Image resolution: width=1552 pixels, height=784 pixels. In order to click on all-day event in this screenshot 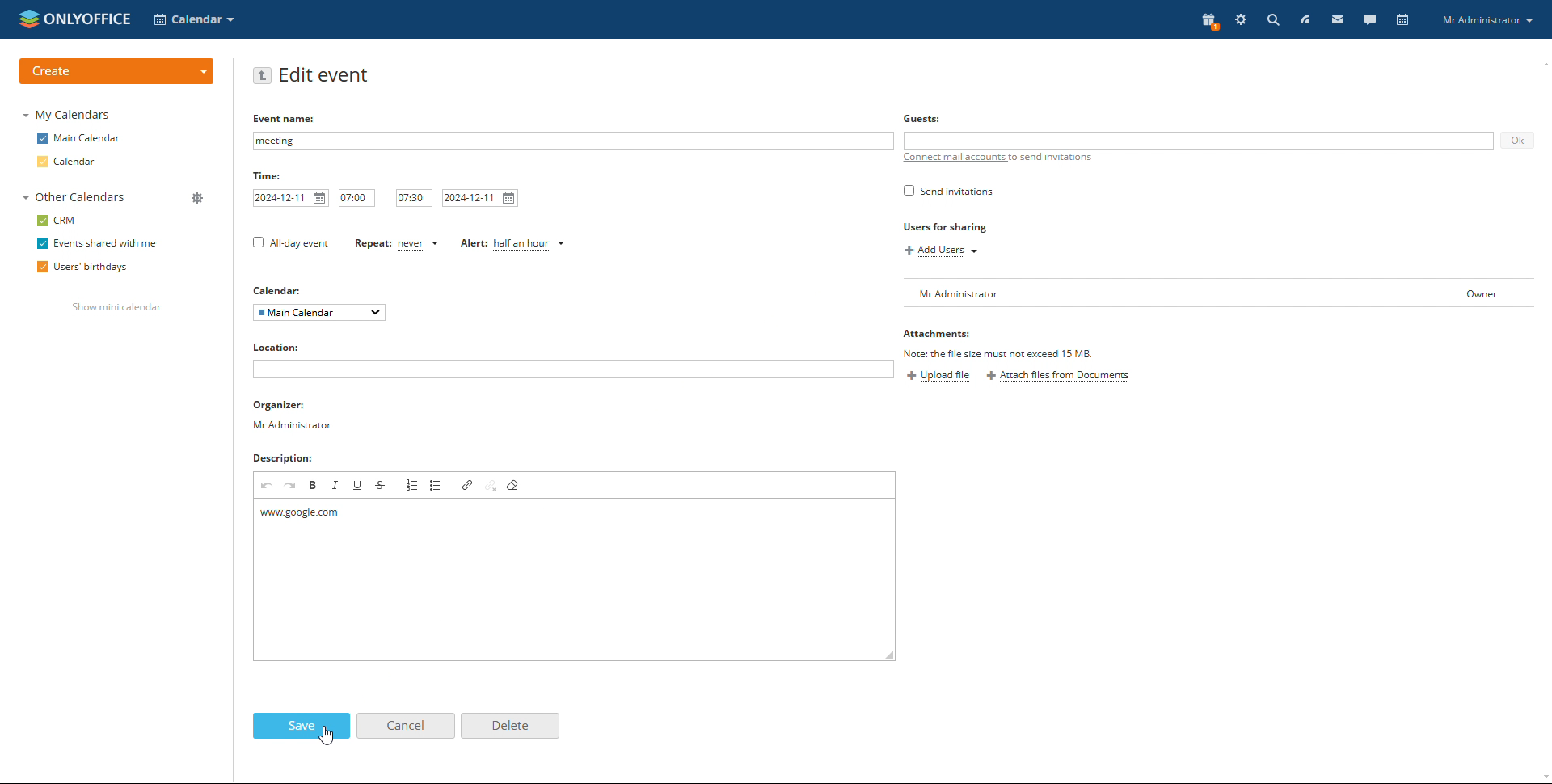, I will do `click(292, 244)`.